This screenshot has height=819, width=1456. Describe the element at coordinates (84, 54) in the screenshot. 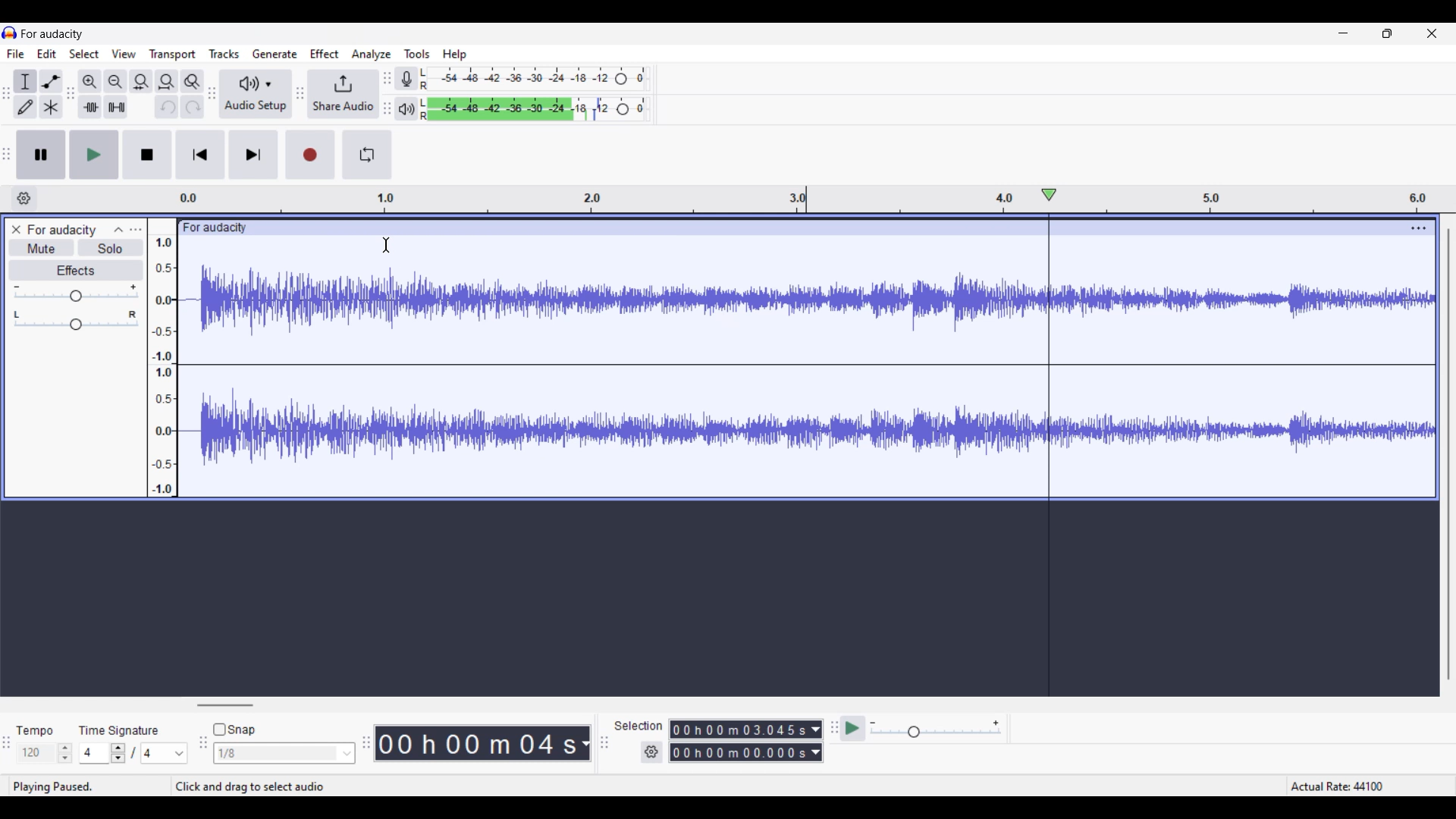

I see `Select menu` at that location.